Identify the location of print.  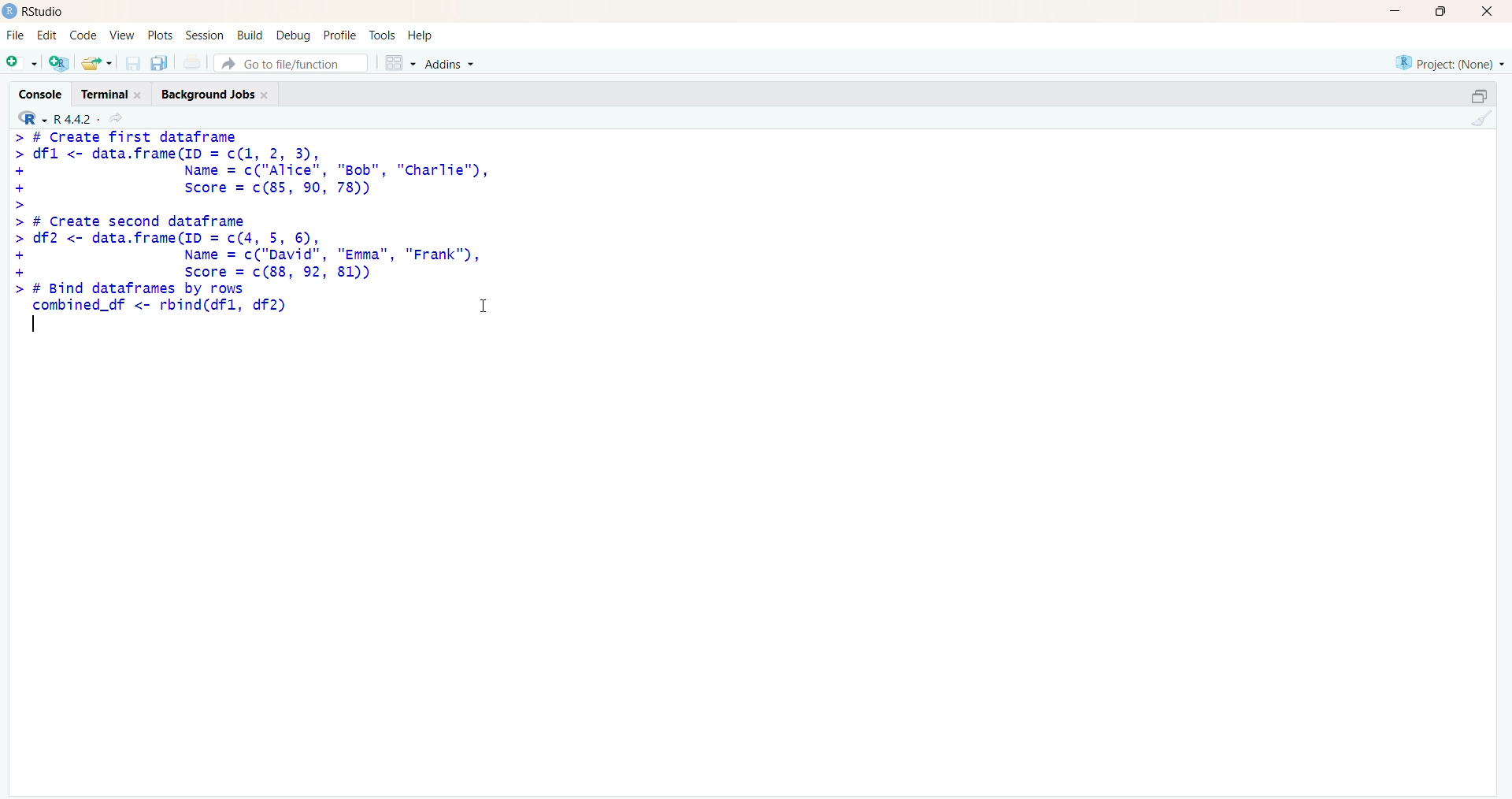
(193, 63).